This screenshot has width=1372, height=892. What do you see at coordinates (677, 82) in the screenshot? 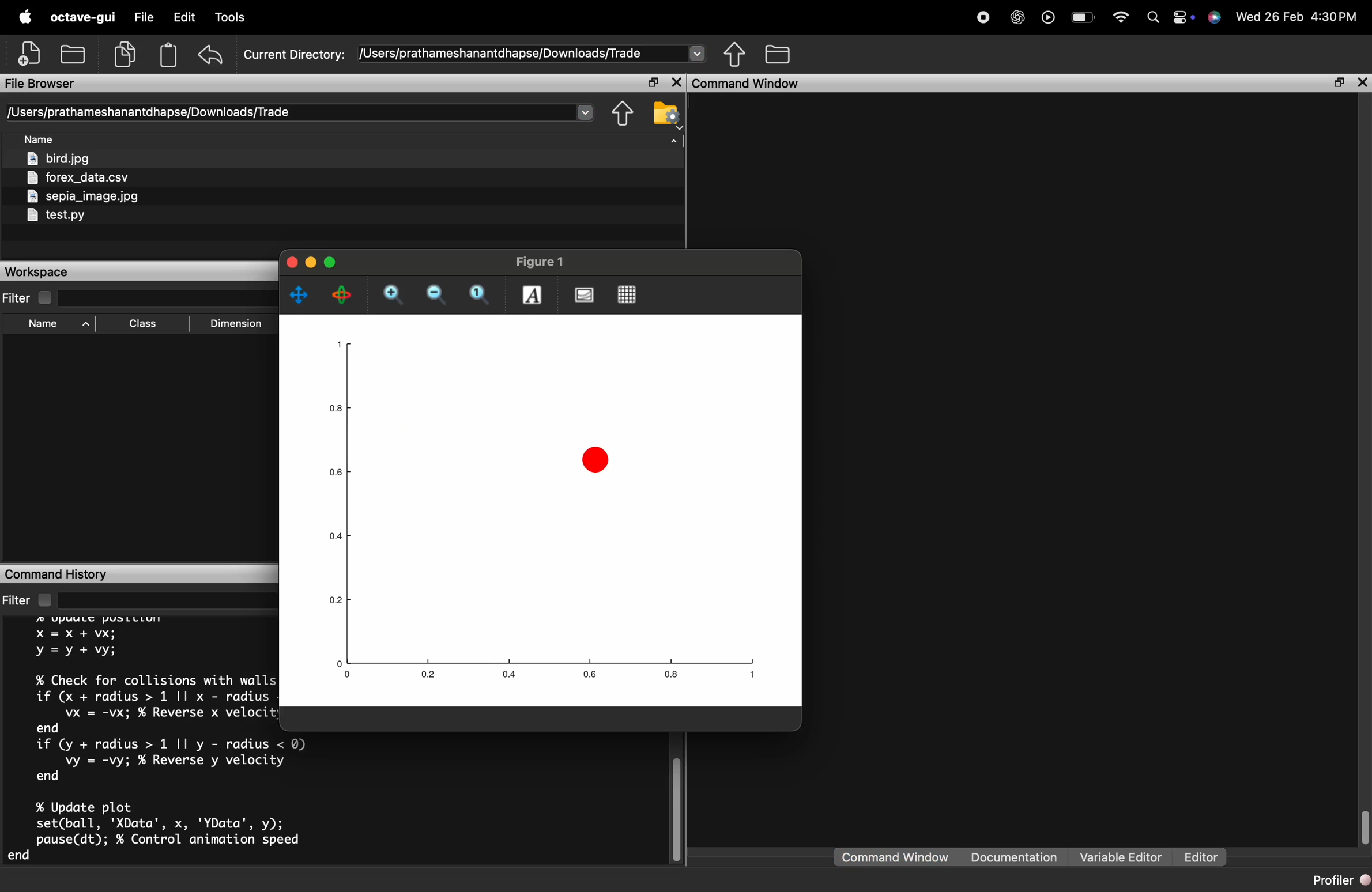
I see `close` at bounding box center [677, 82].